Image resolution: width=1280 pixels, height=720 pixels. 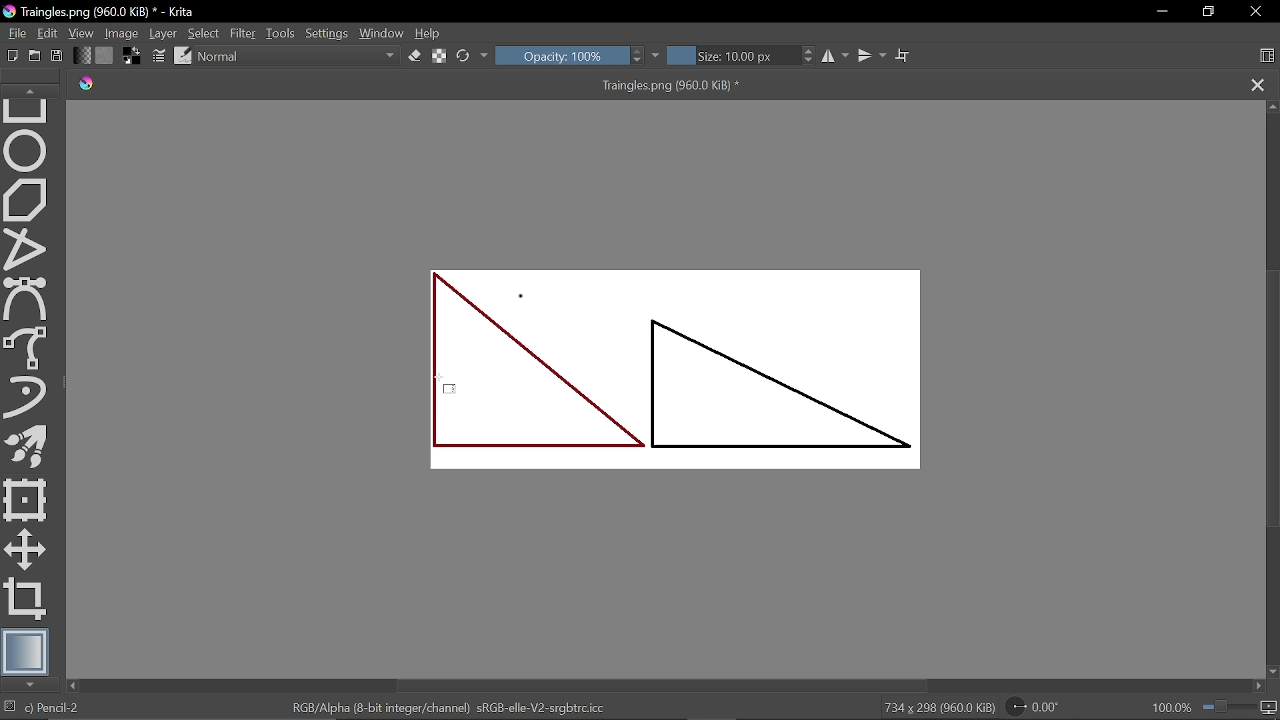 What do you see at coordinates (184, 55) in the screenshot?
I see `edit brush preset` at bounding box center [184, 55].